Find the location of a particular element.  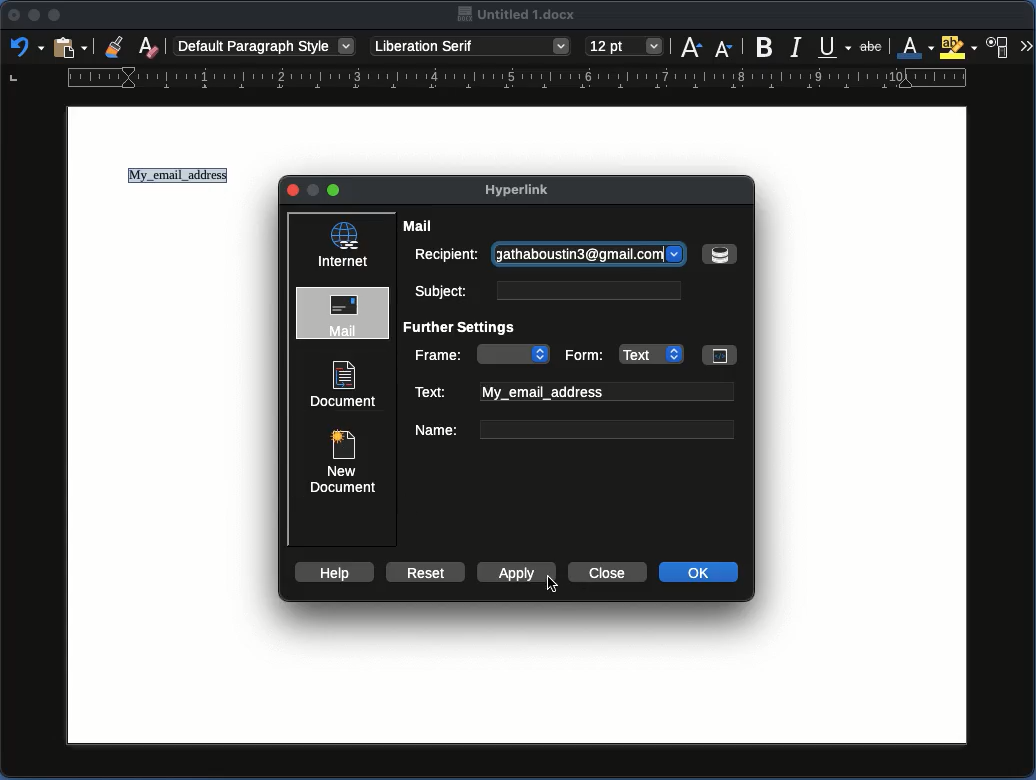

Help is located at coordinates (333, 572).